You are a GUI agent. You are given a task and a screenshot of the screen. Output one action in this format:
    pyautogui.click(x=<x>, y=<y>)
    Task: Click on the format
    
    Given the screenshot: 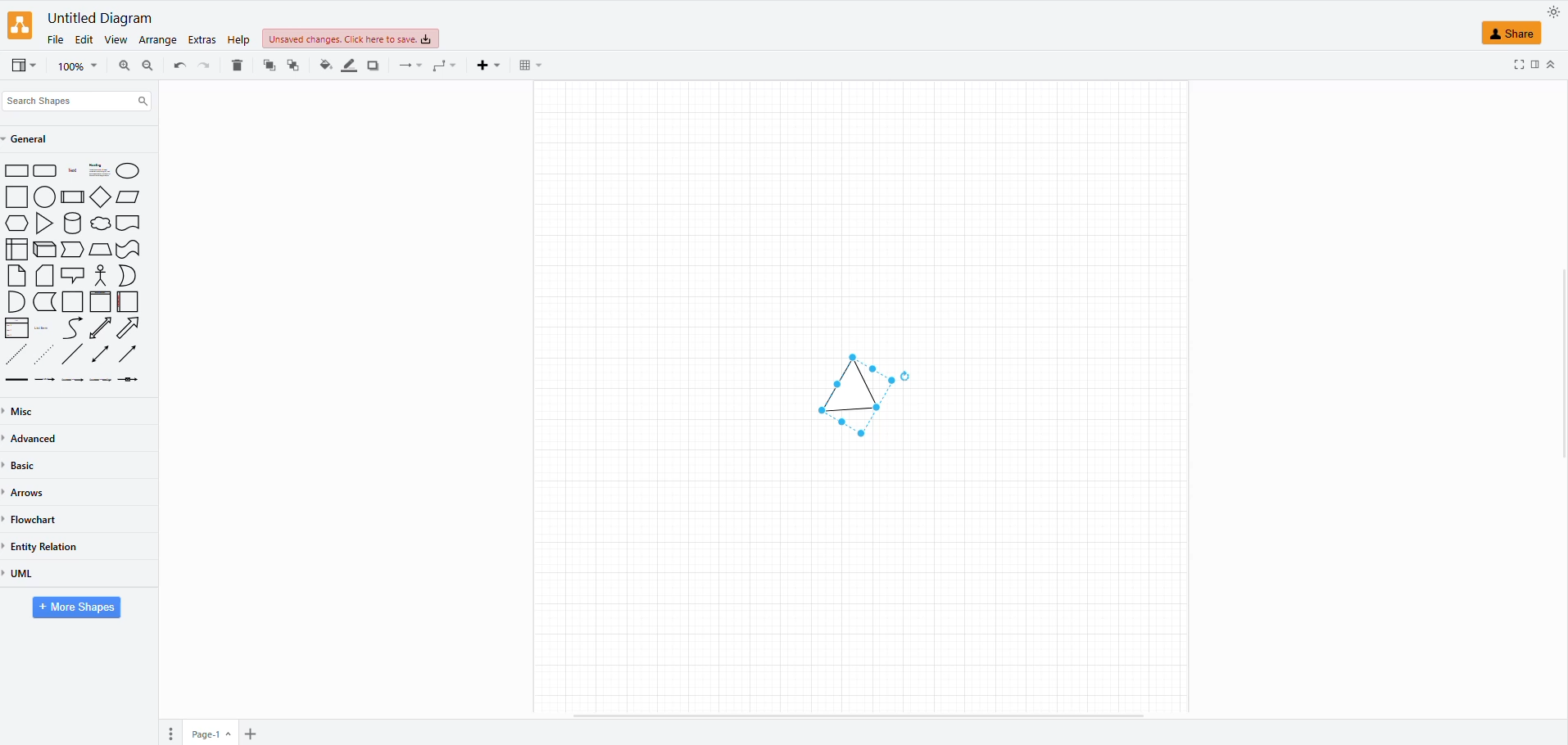 What is the action you would take?
    pyautogui.click(x=1533, y=66)
    